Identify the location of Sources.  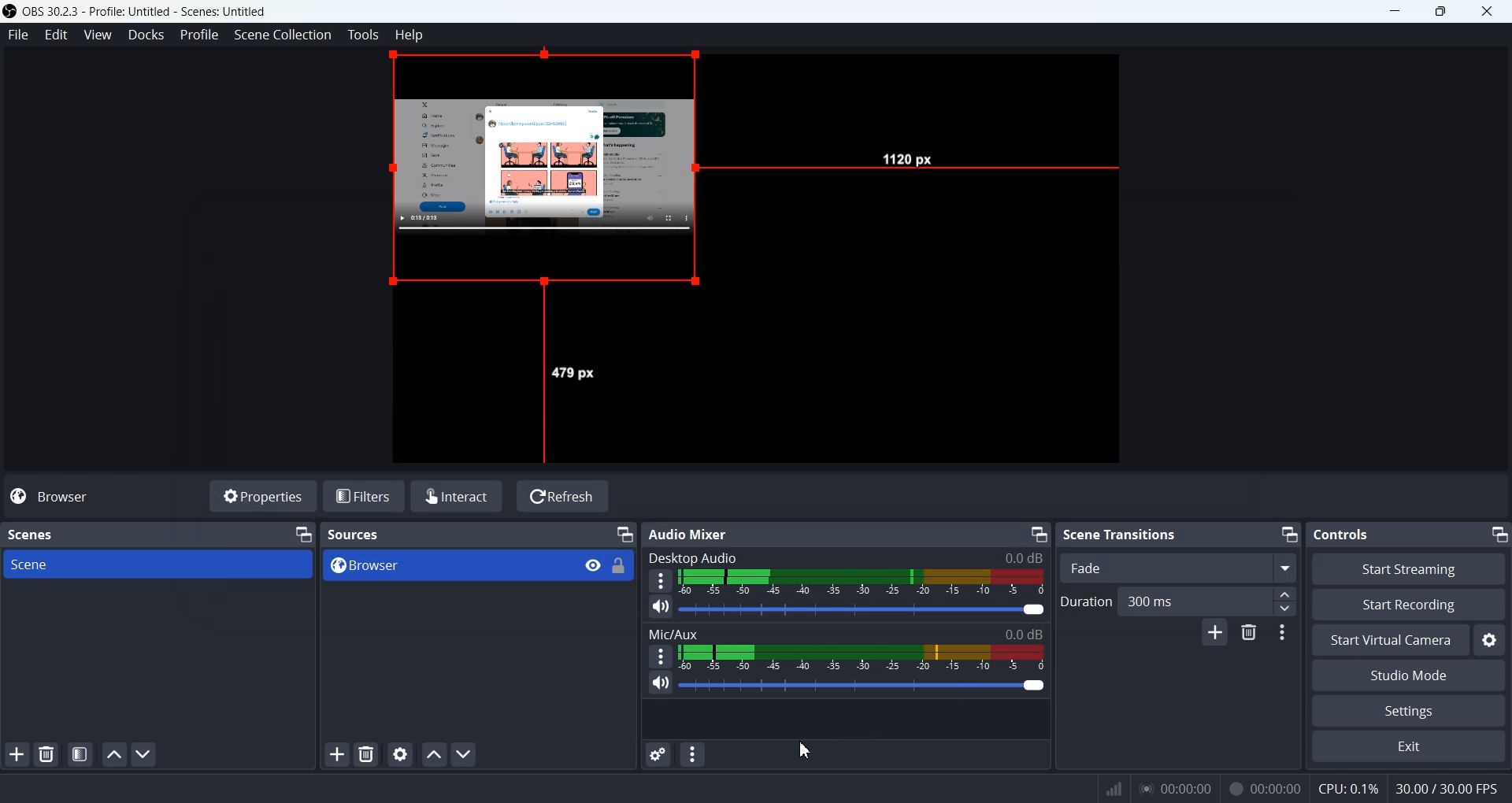
(364, 534).